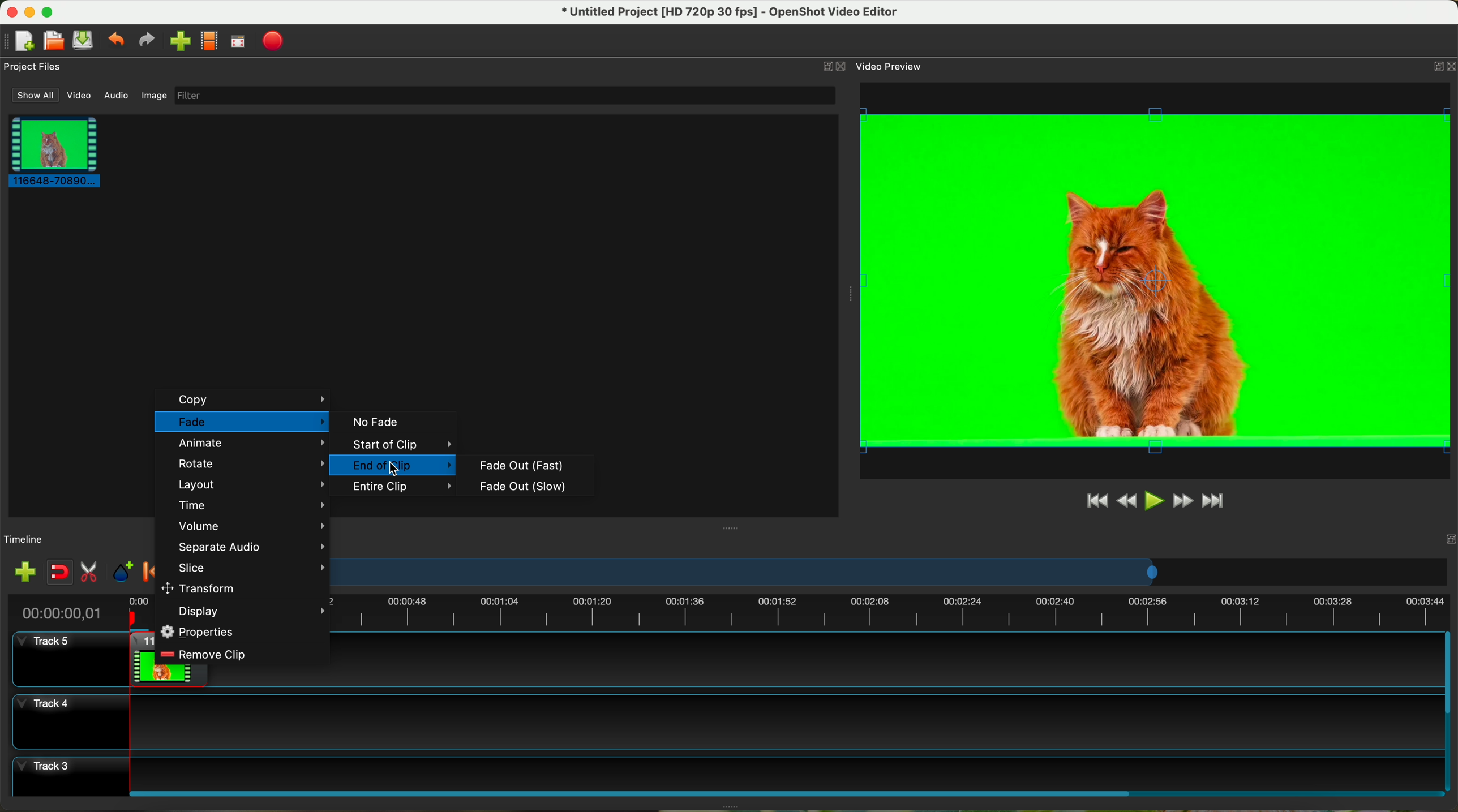 This screenshot has width=1458, height=812. I want to click on video, so click(80, 96).